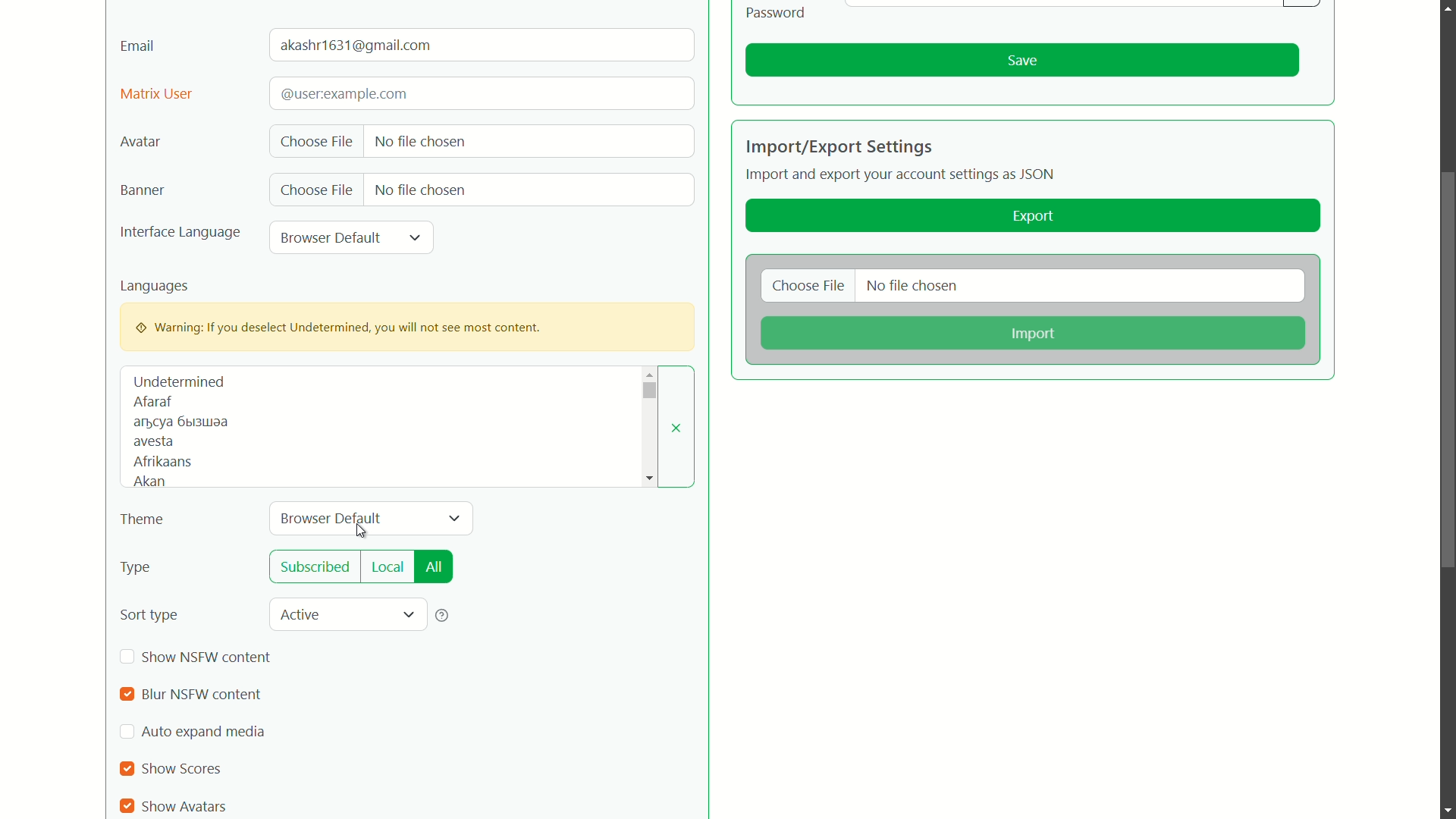 The height and width of the screenshot is (819, 1456). What do you see at coordinates (147, 482) in the screenshot?
I see `akan` at bounding box center [147, 482].